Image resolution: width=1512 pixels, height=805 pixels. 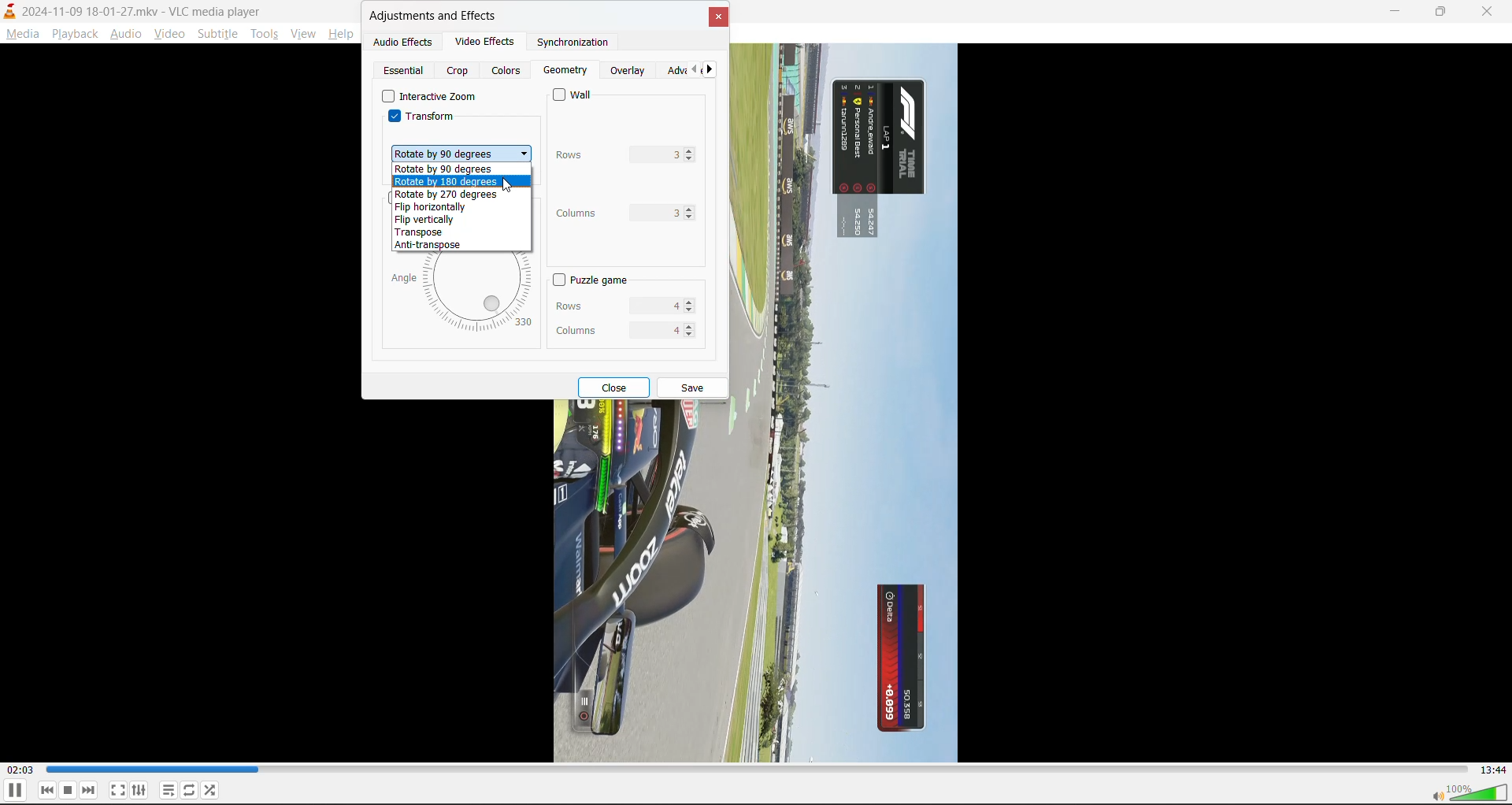 What do you see at coordinates (694, 389) in the screenshot?
I see `save` at bounding box center [694, 389].